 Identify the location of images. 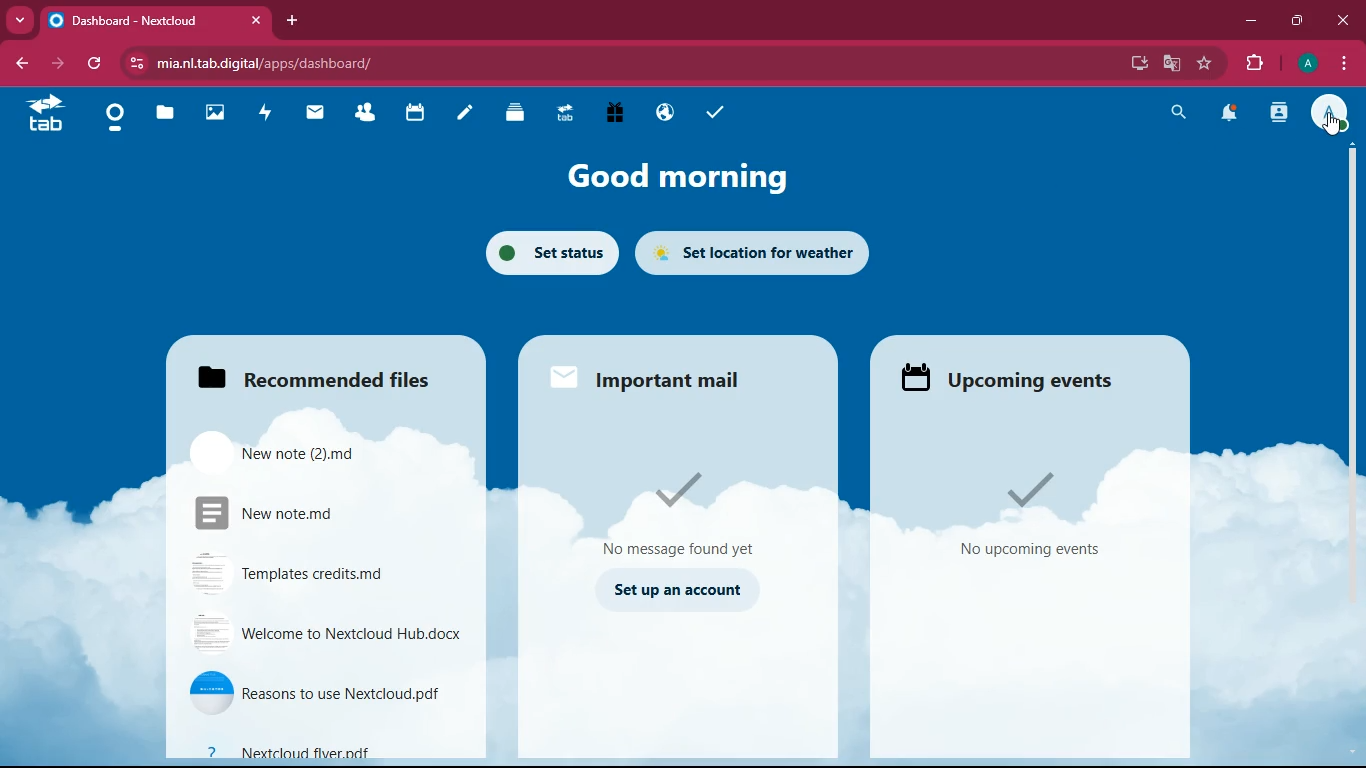
(214, 115).